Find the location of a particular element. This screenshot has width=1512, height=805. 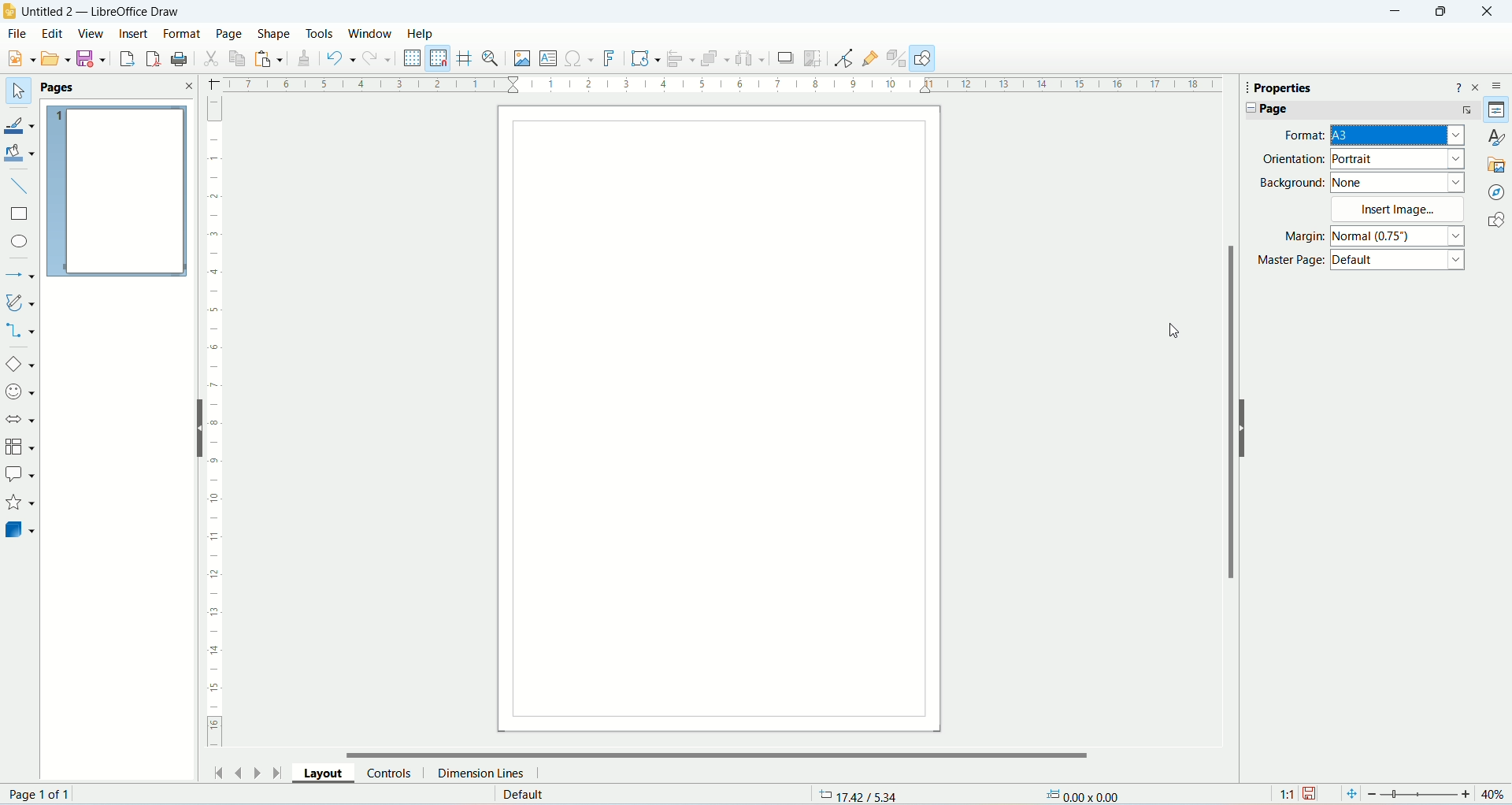

properties is located at coordinates (1307, 87).